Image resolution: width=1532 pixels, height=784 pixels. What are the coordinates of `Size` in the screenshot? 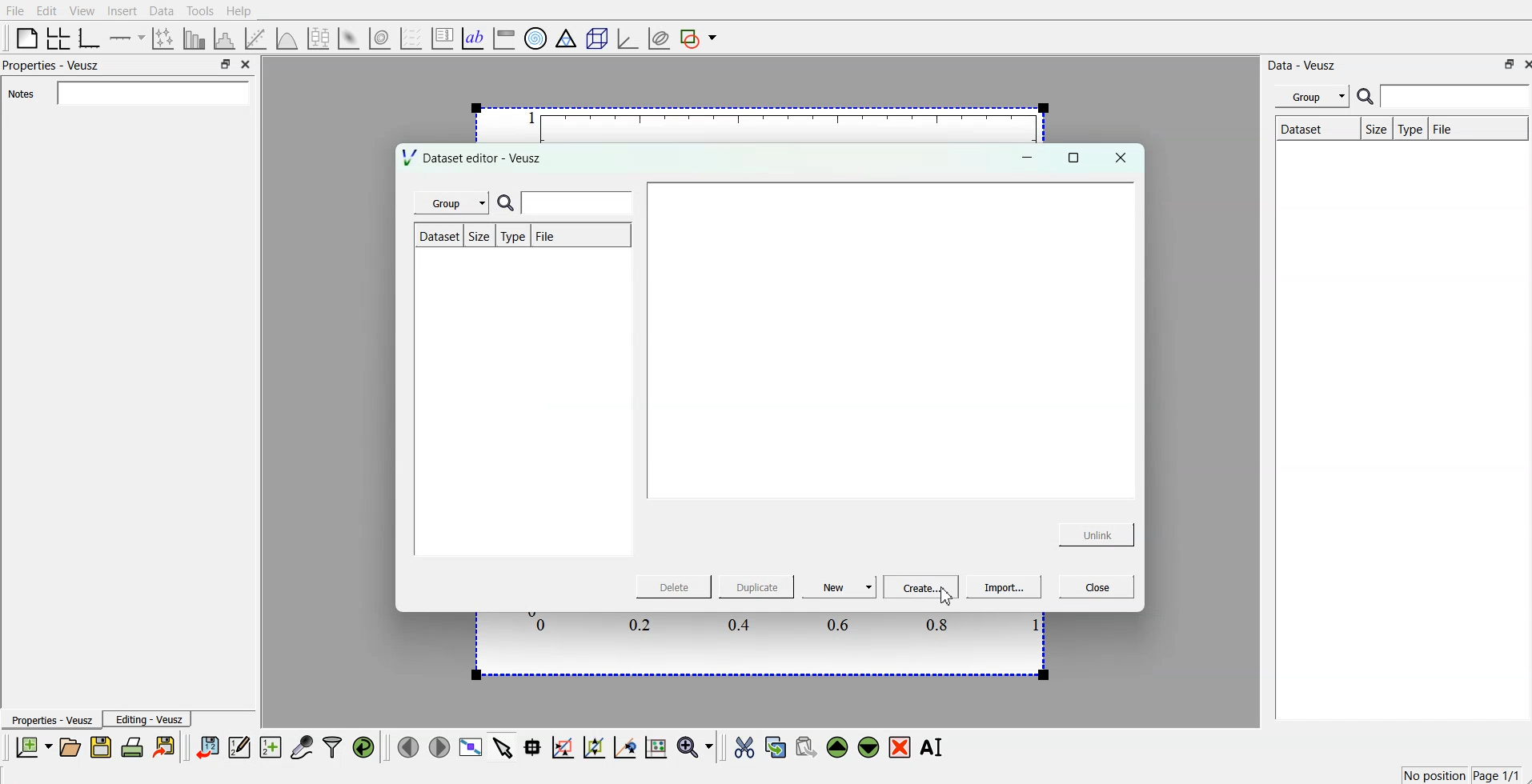 It's located at (479, 235).